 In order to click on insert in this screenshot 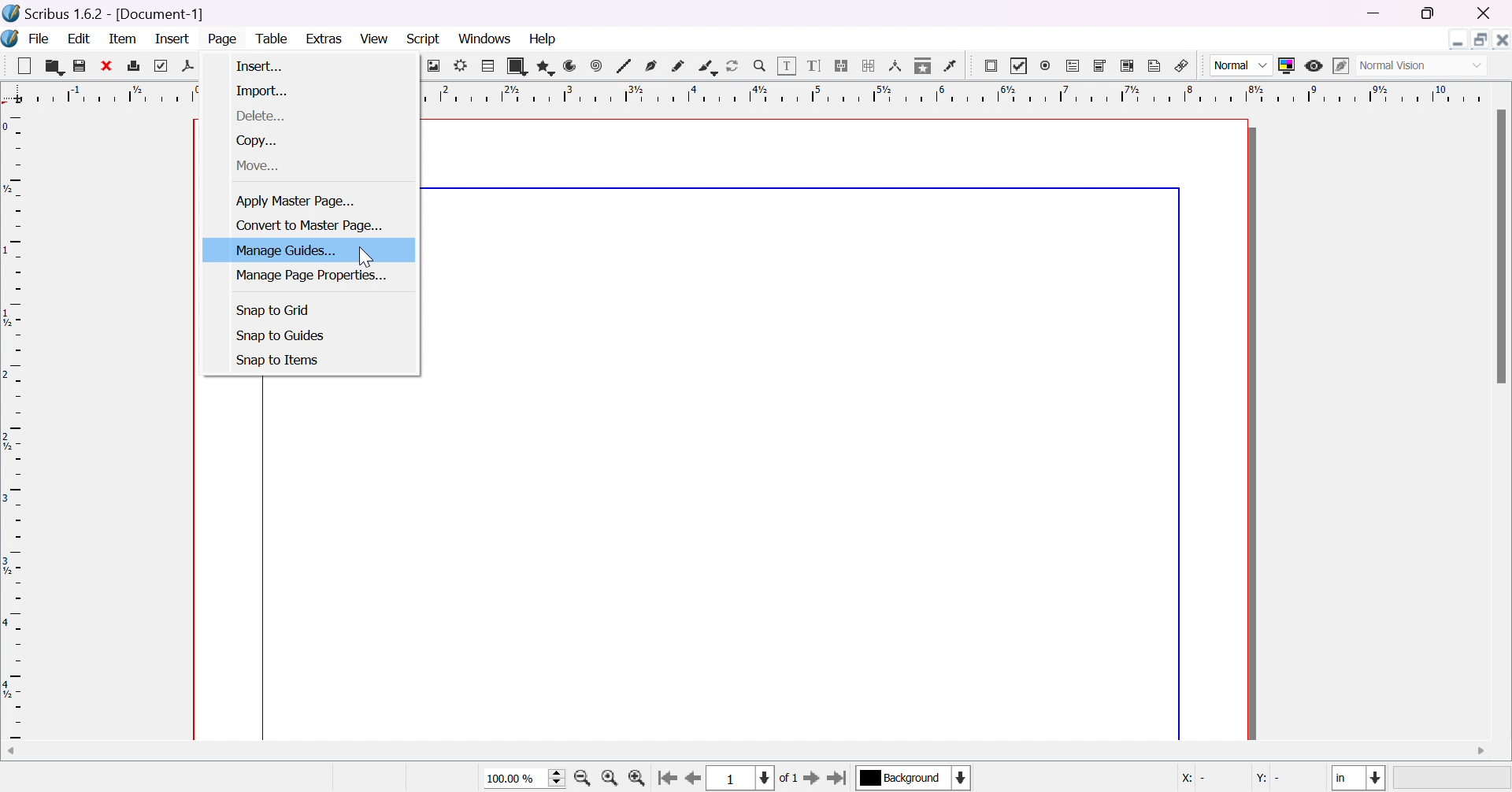, I will do `click(169, 38)`.